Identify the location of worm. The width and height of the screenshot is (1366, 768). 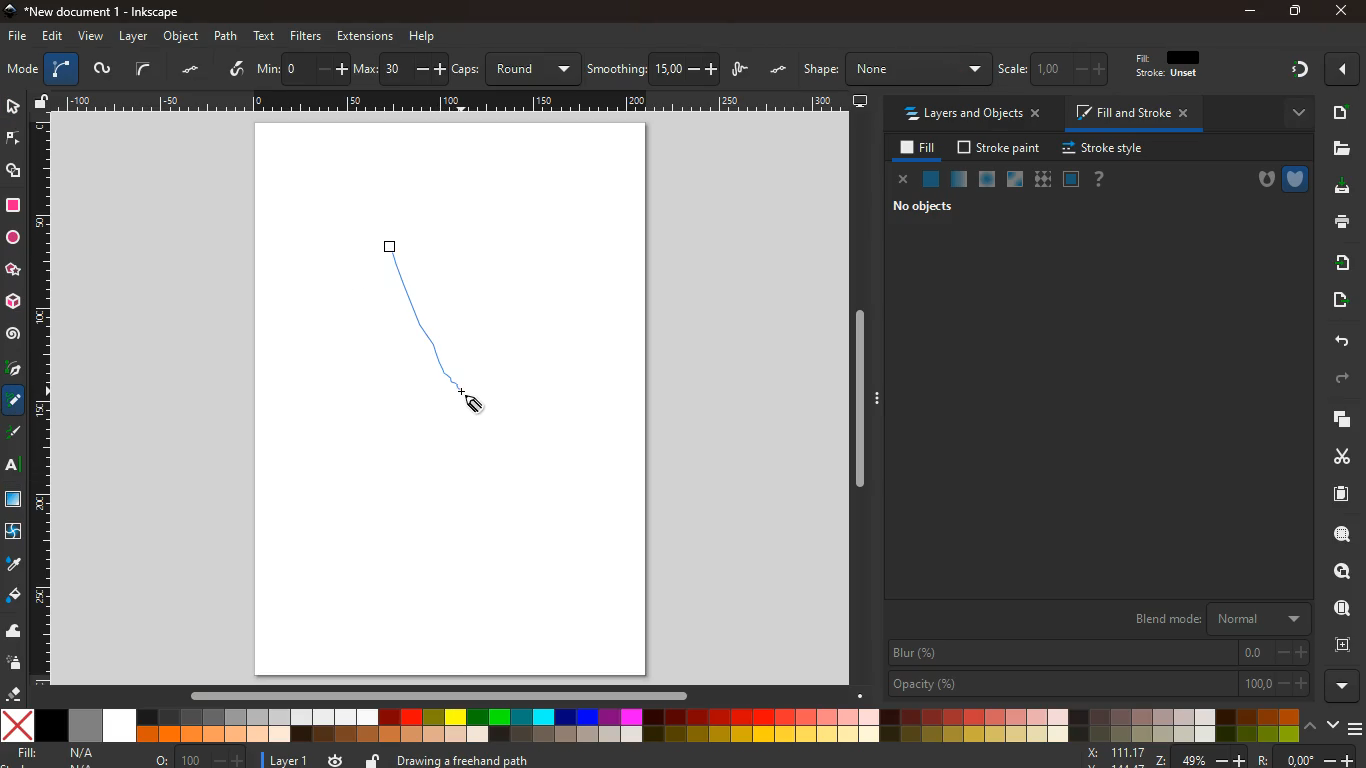
(101, 71).